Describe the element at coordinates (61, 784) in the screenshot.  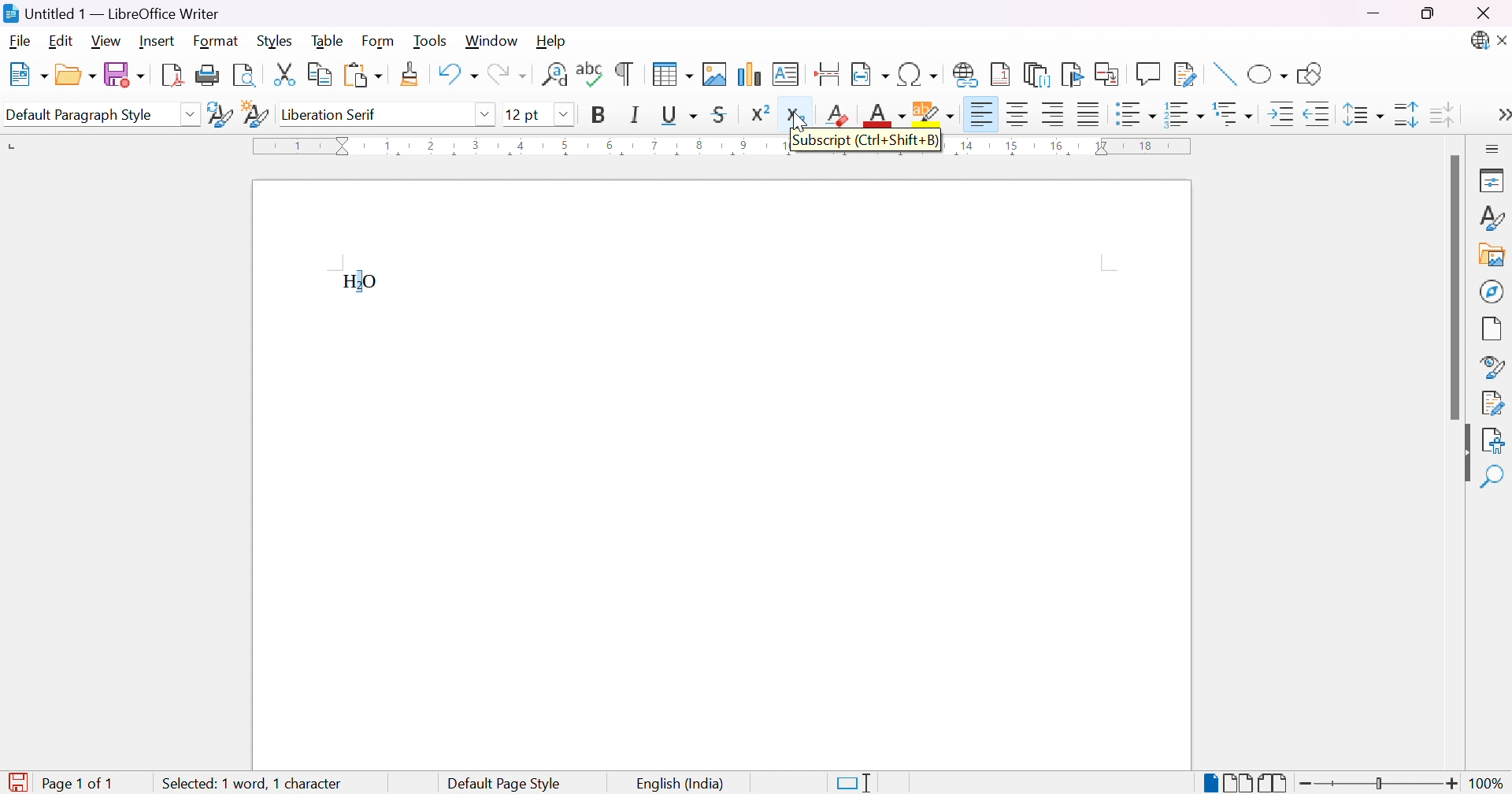
I see `Page 1 of 1` at that location.